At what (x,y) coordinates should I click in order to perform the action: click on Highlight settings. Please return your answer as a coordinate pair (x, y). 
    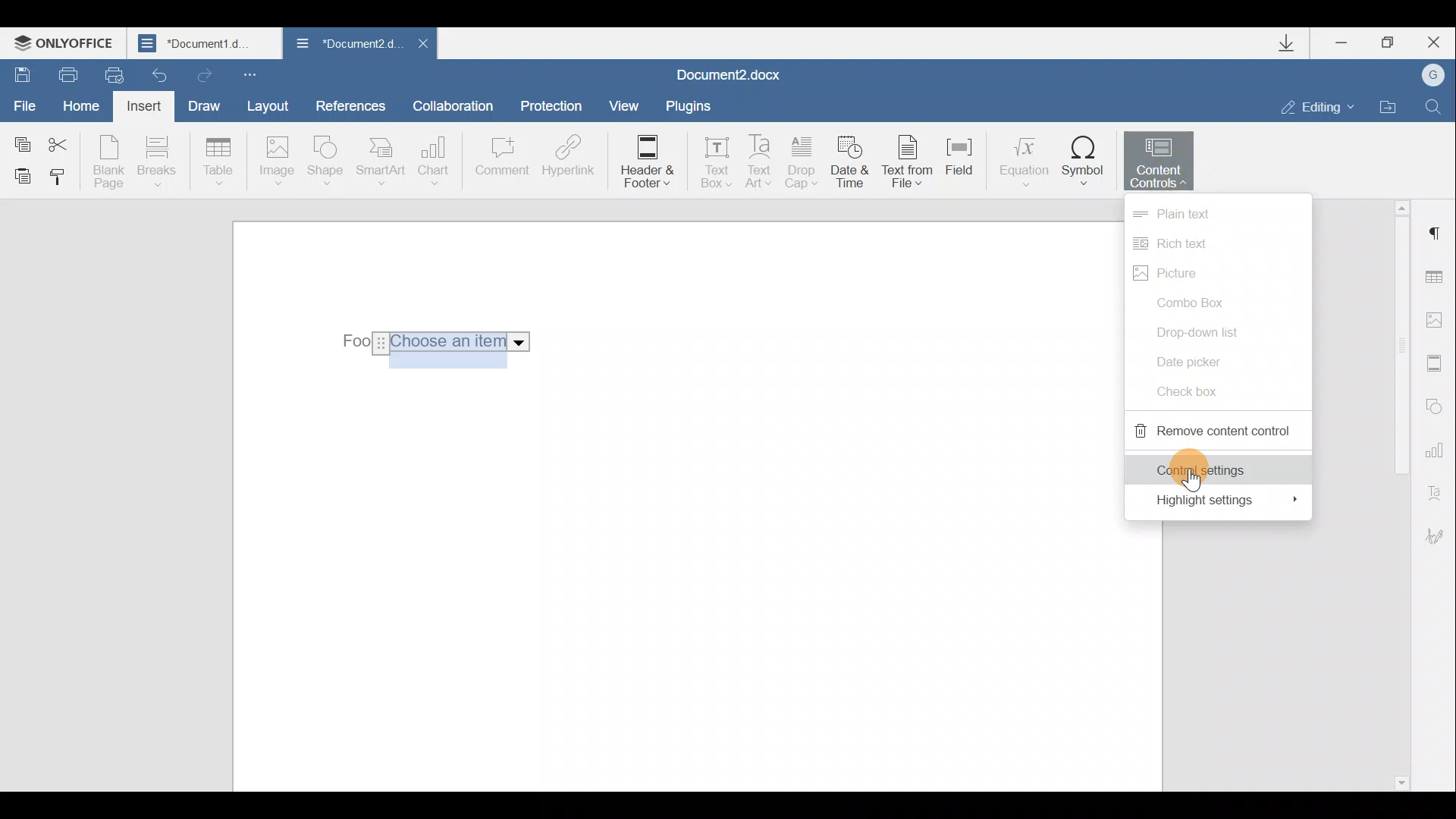
    Looking at the image, I should click on (1219, 500).